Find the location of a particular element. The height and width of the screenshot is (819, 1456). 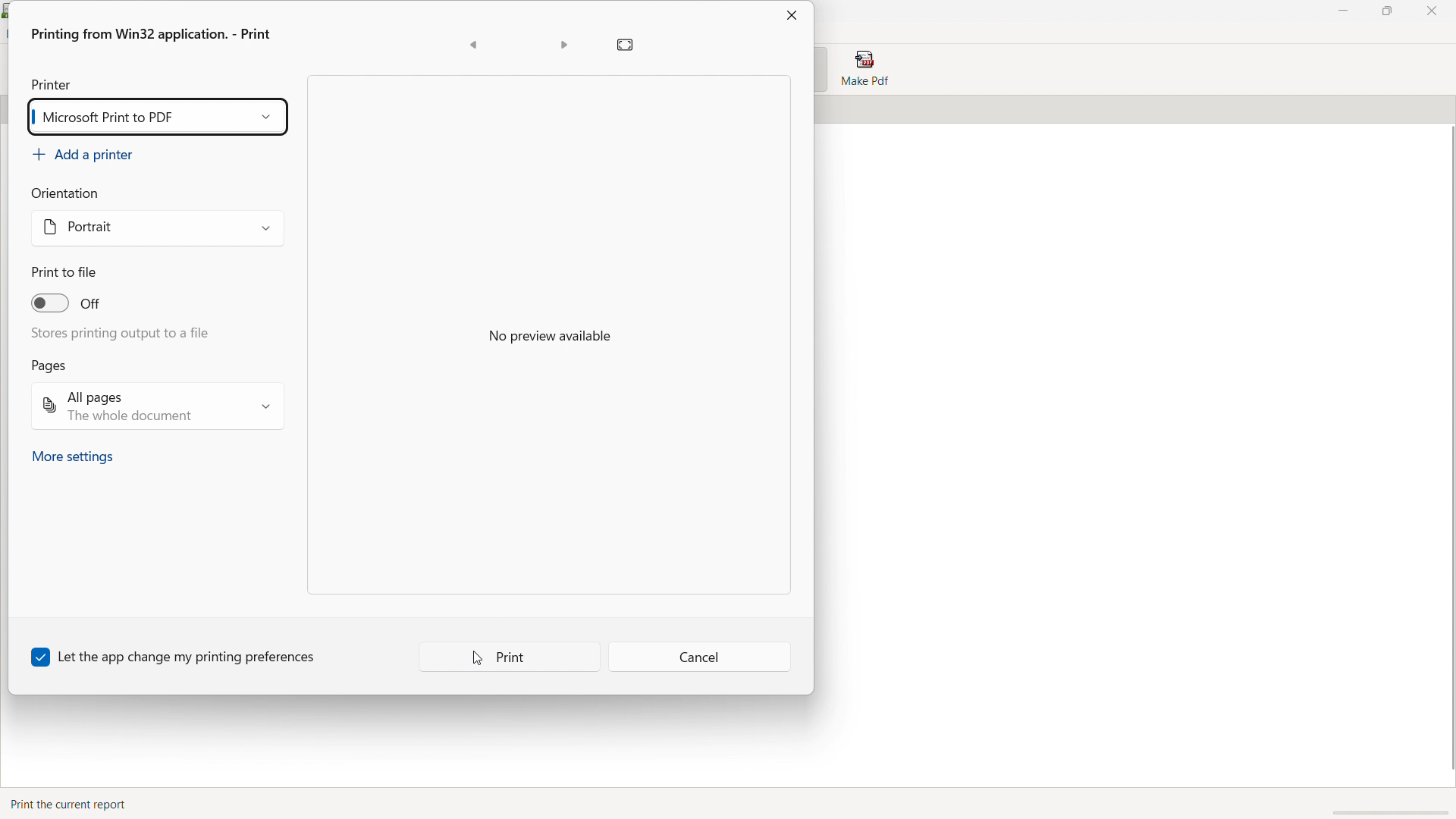

minimize is located at coordinates (1344, 11).